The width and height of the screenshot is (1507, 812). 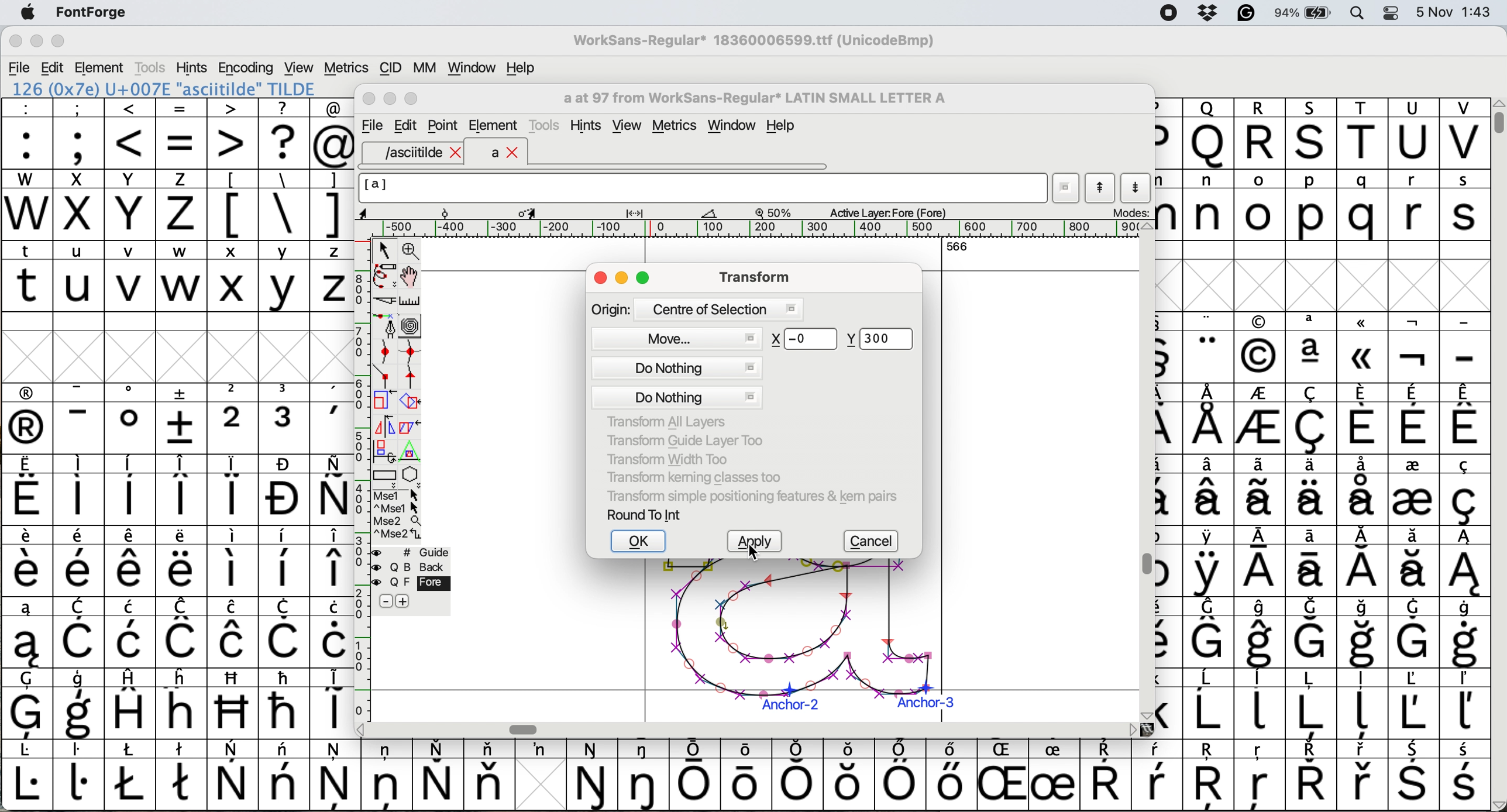 What do you see at coordinates (283, 205) in the screenshot?
I see `\` at bounding box center [283, 205].